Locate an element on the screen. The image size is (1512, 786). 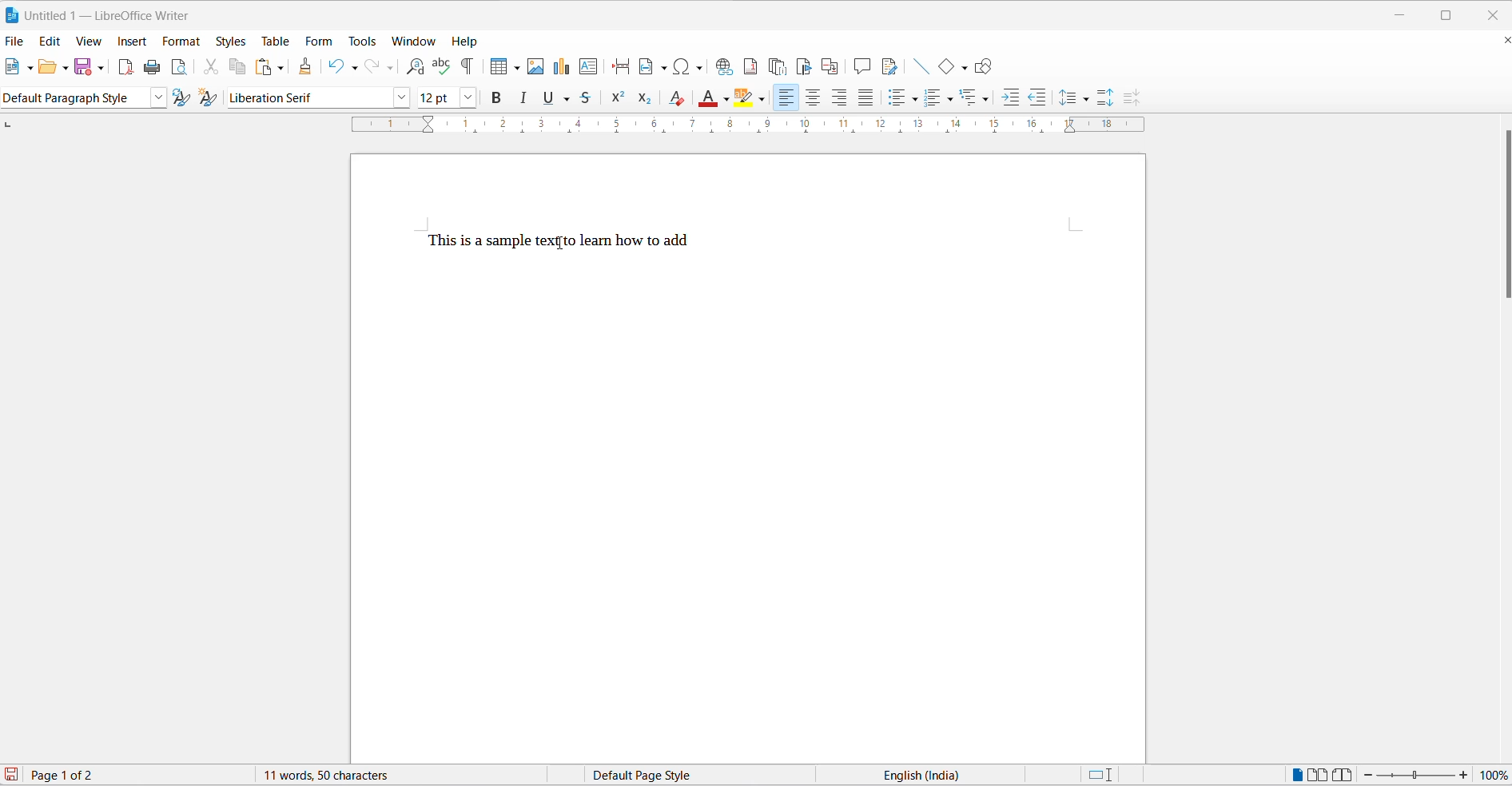
format is located at coordinates (183, 43).